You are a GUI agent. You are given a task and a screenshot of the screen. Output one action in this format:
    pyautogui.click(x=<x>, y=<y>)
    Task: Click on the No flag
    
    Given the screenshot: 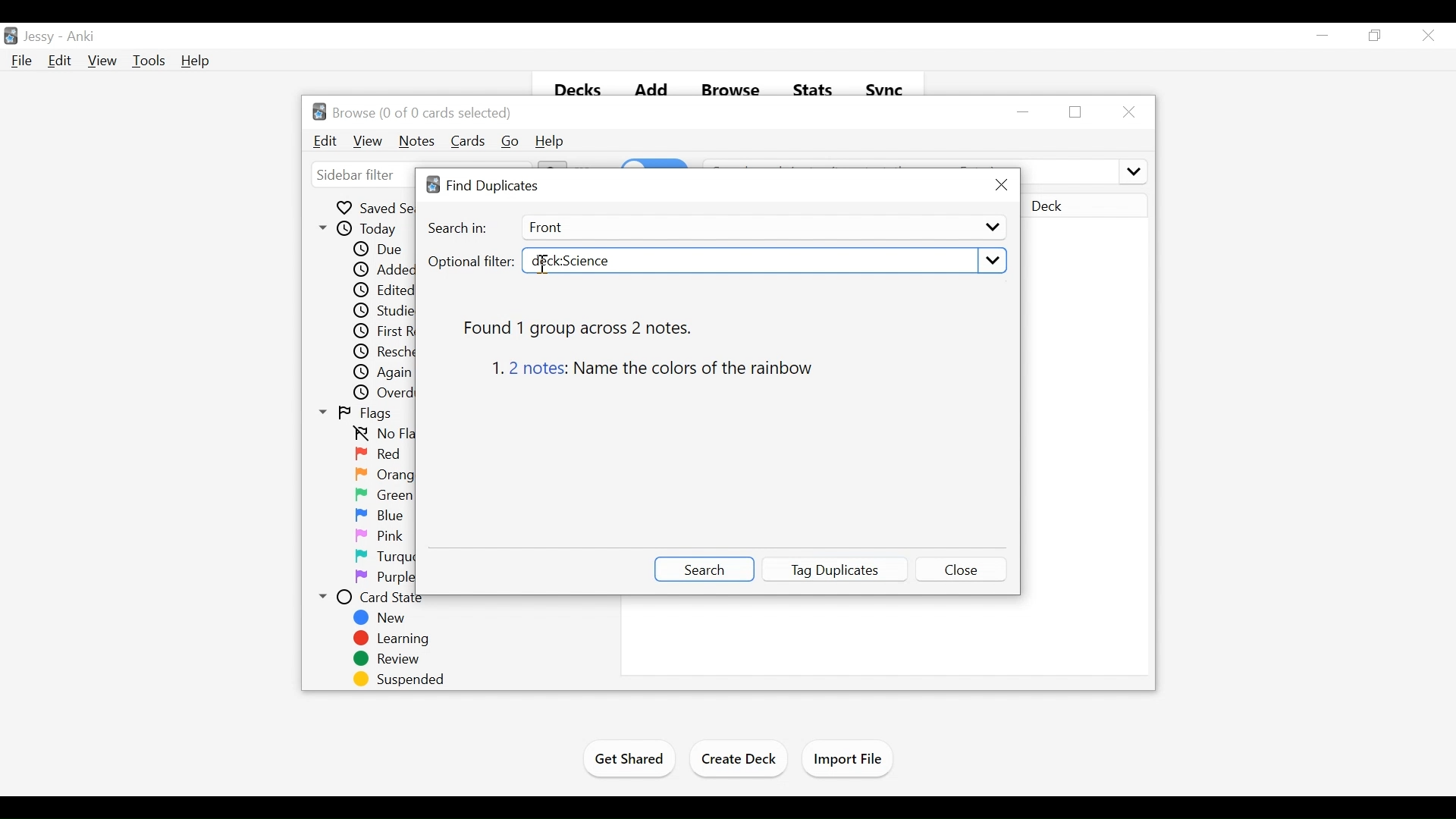 What is the action you would take?
    pyautogui.click(x=381, y=435)
    